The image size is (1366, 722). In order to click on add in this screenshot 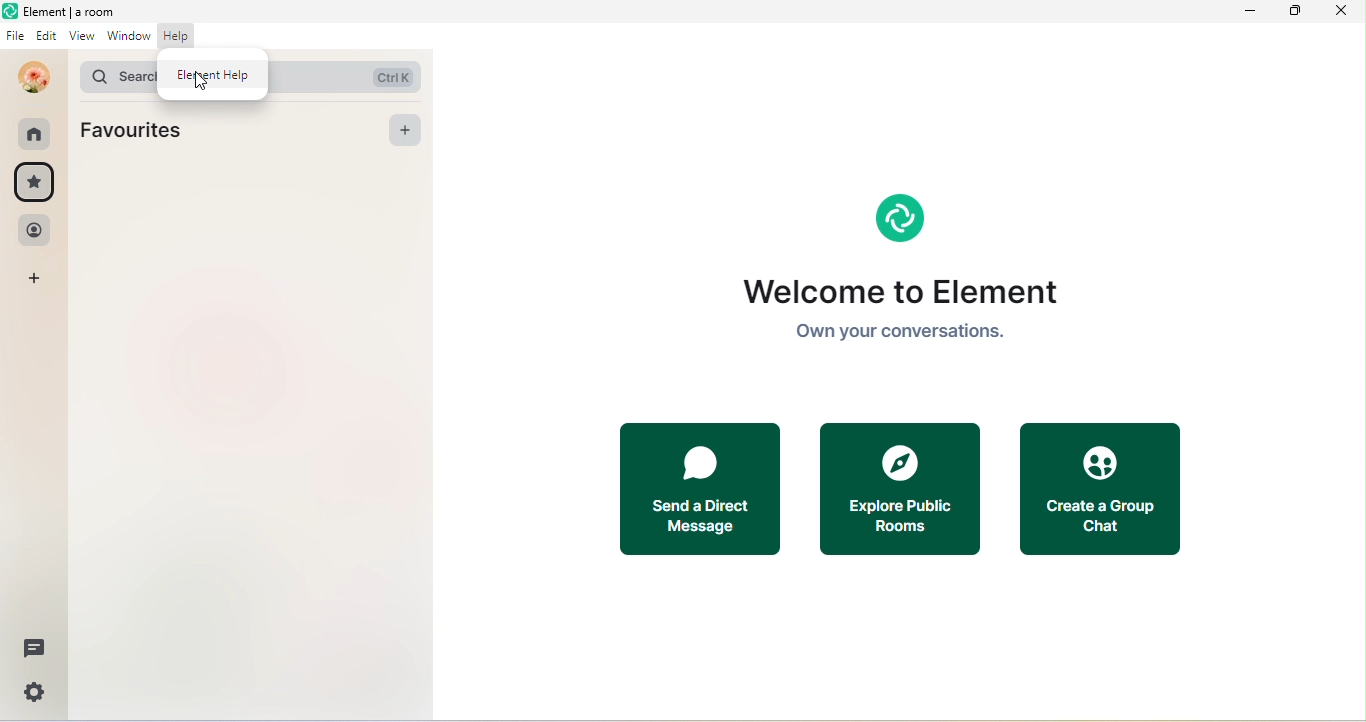, I will do `click(403, 130)`.